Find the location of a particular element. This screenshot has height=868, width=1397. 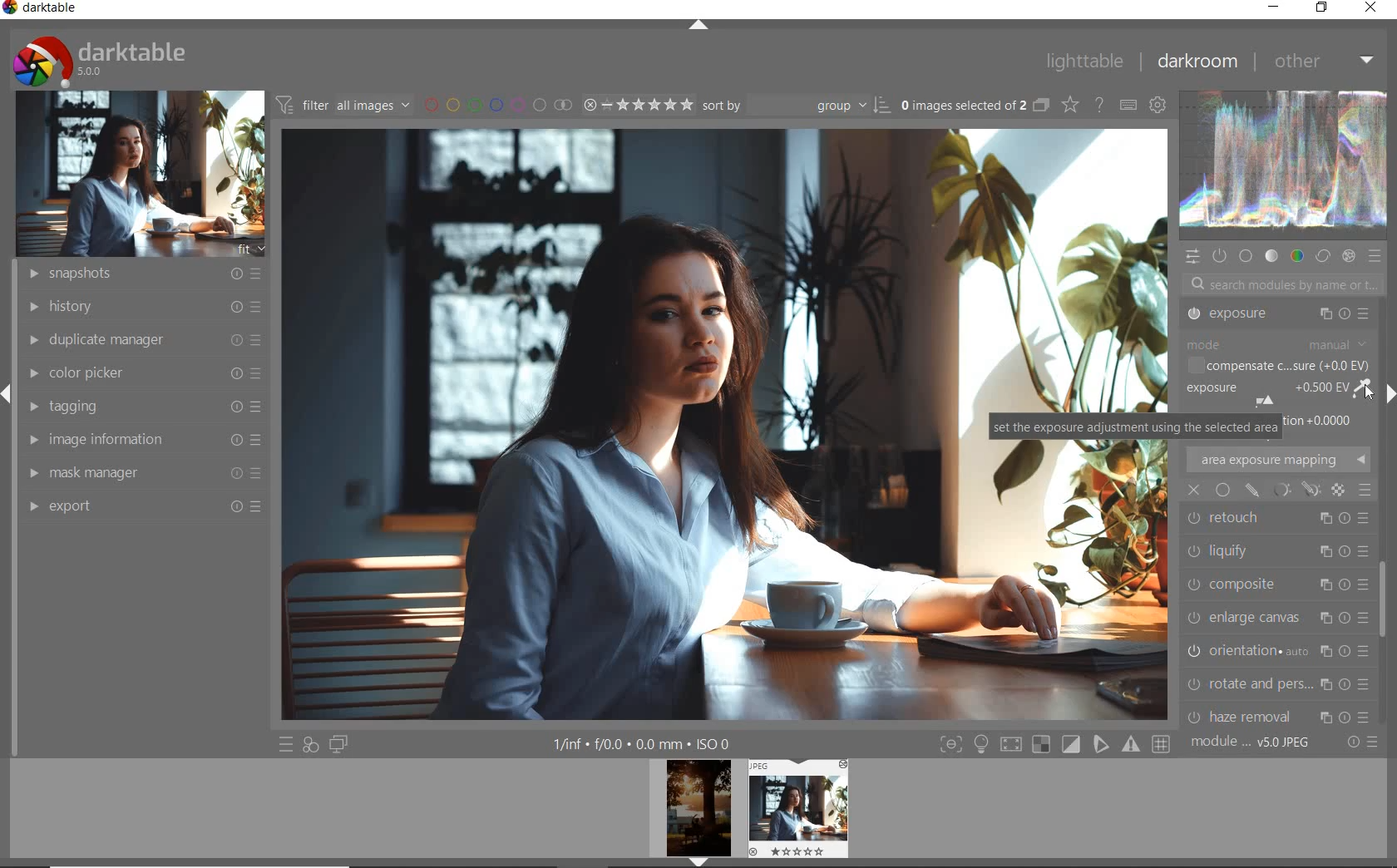

QUICK ACCESS PANEL is located at coordinates (1192, 257).